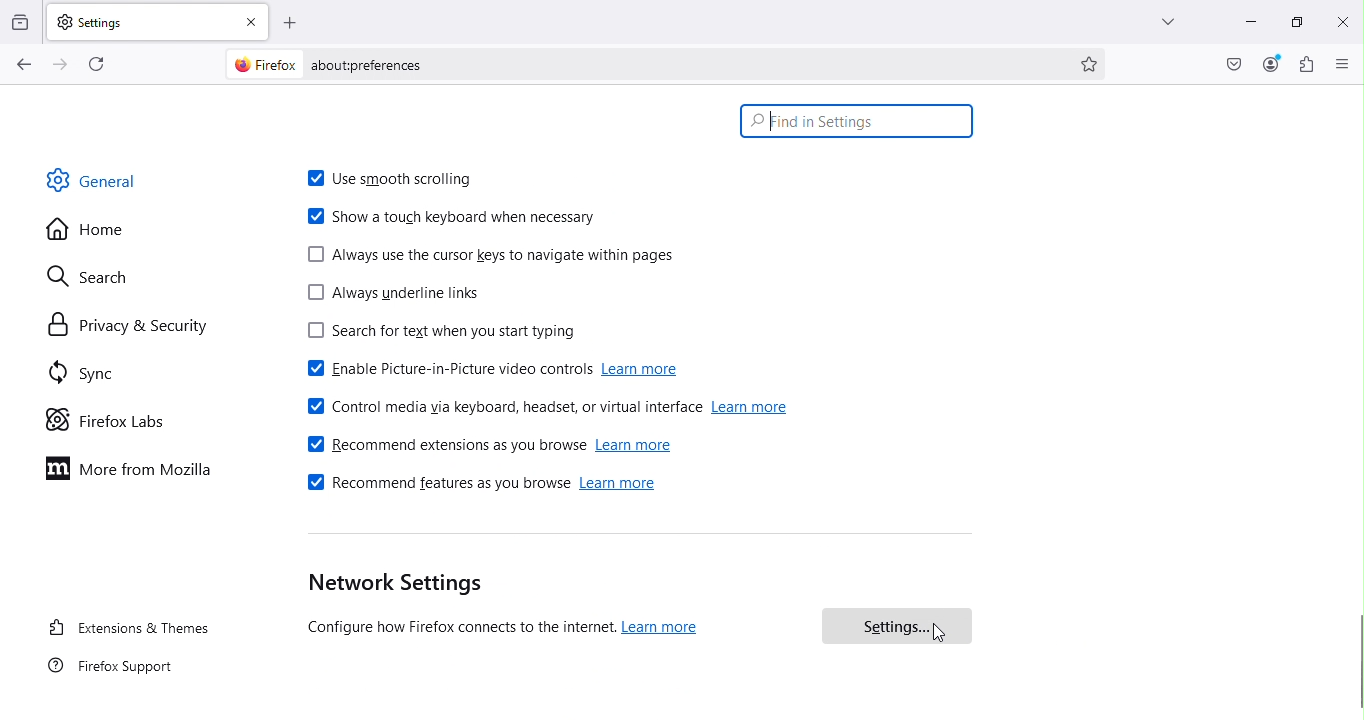 This screenshot has height=720, width=1364. Describe the element at coordinates (621, 487) in the screenshot. I see `learn more` at that location.